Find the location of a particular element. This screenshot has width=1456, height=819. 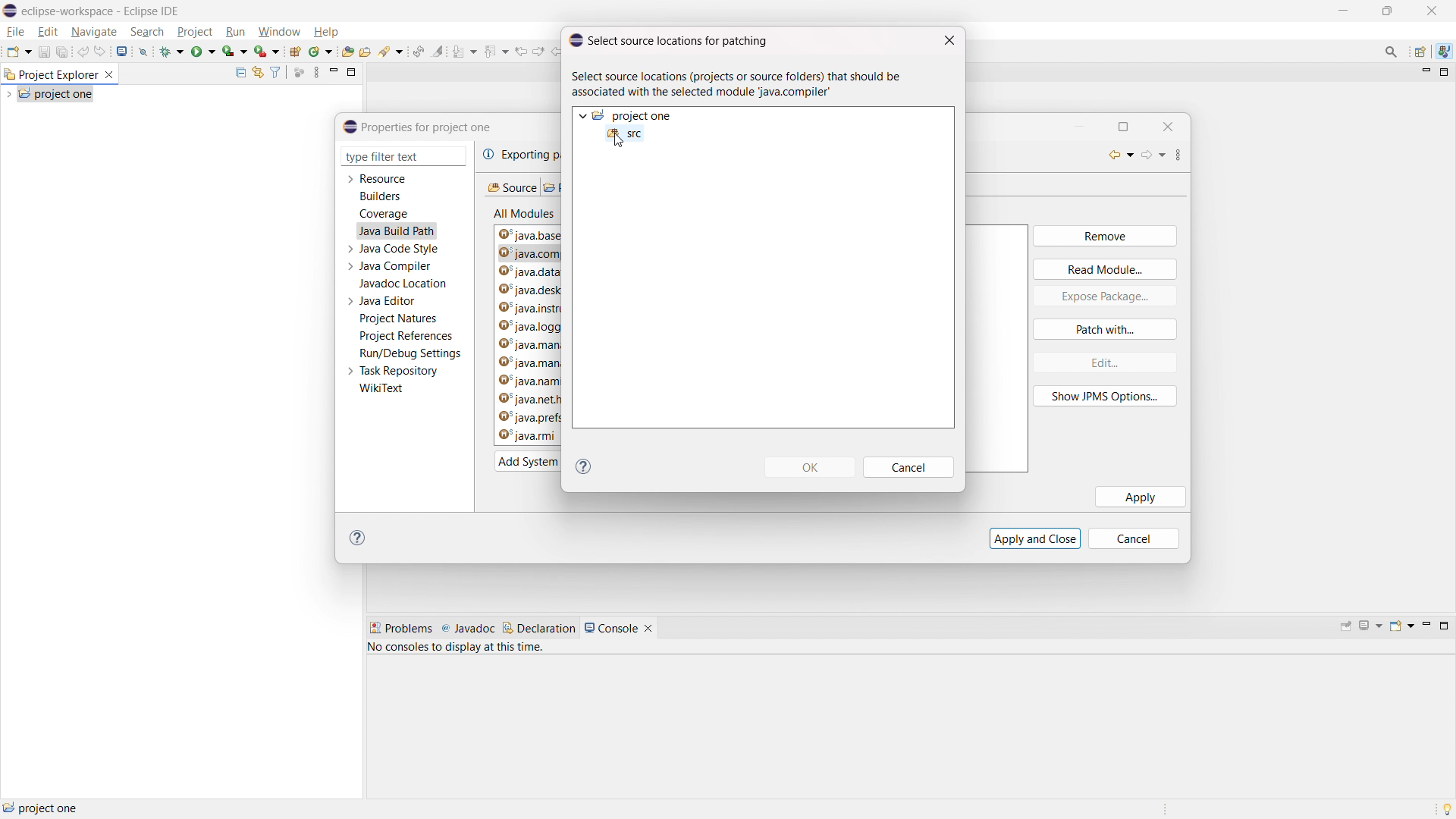

help is located at coordinates (584, 466).